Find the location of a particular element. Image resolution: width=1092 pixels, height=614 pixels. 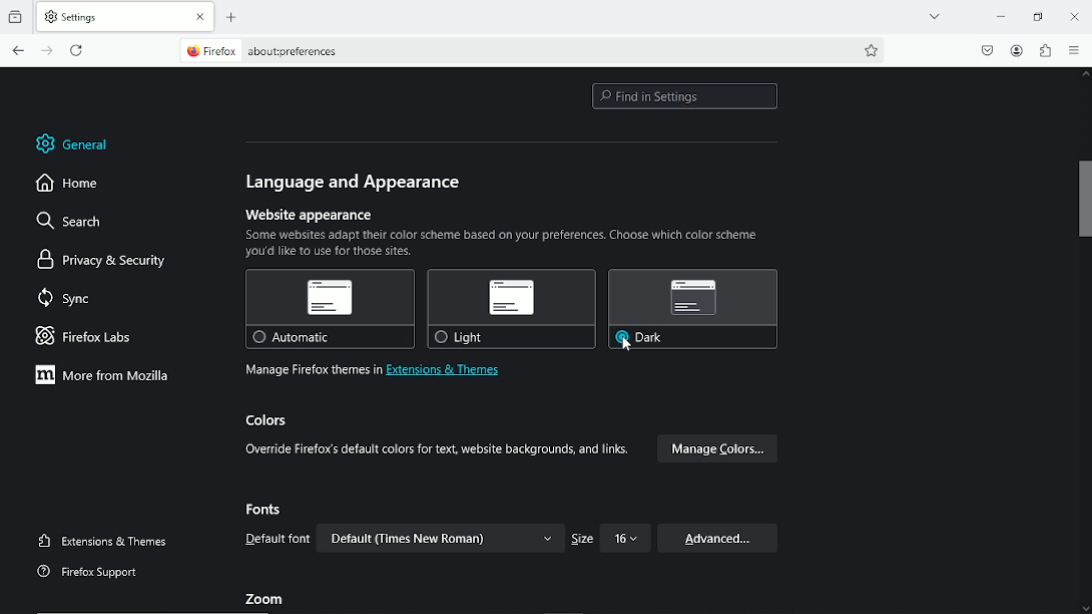

Manage firefox themes in extensions & themes is located at coordinates (373, 371).